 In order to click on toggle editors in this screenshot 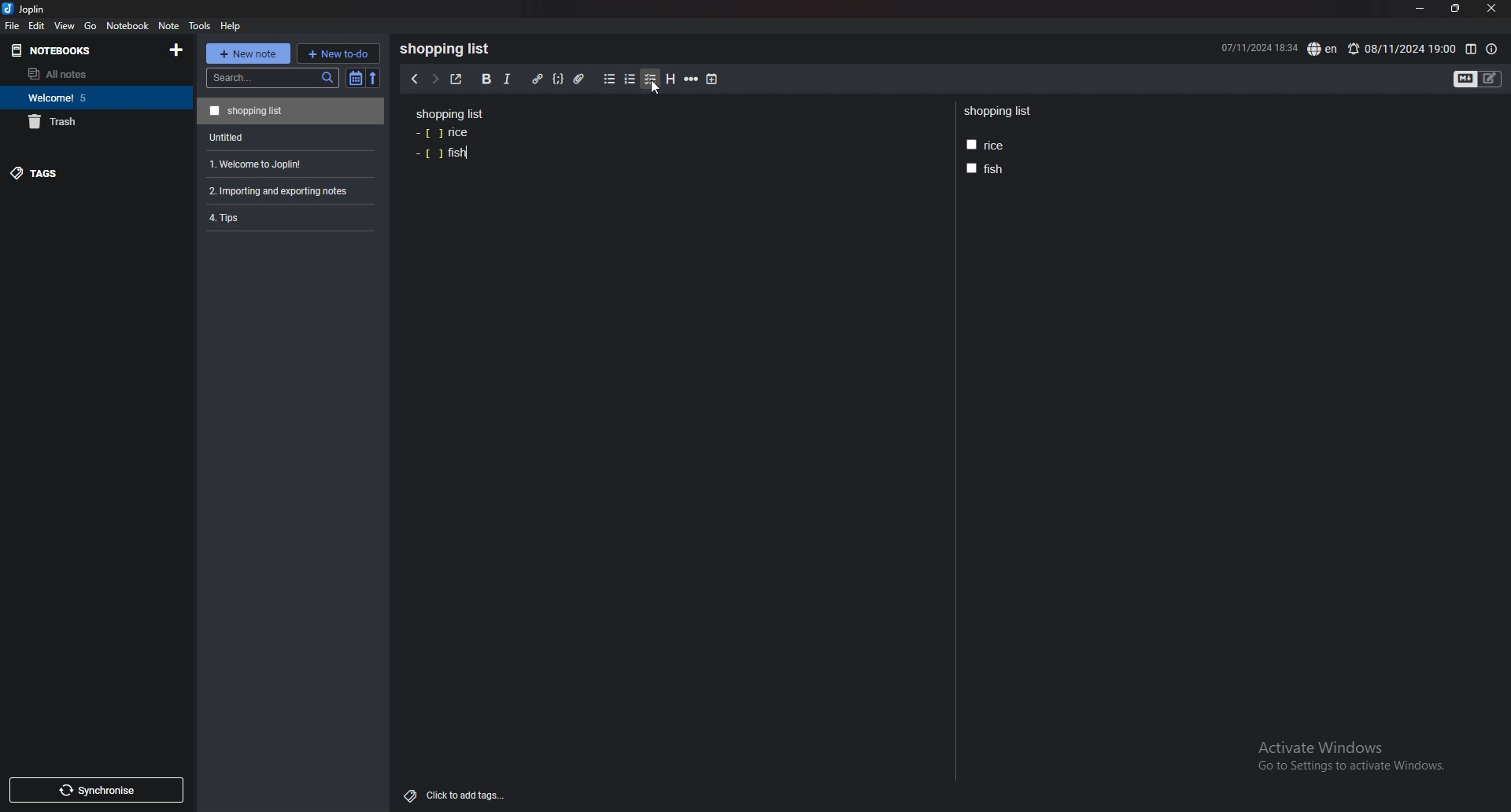, I will do `click(1478, 79)`.